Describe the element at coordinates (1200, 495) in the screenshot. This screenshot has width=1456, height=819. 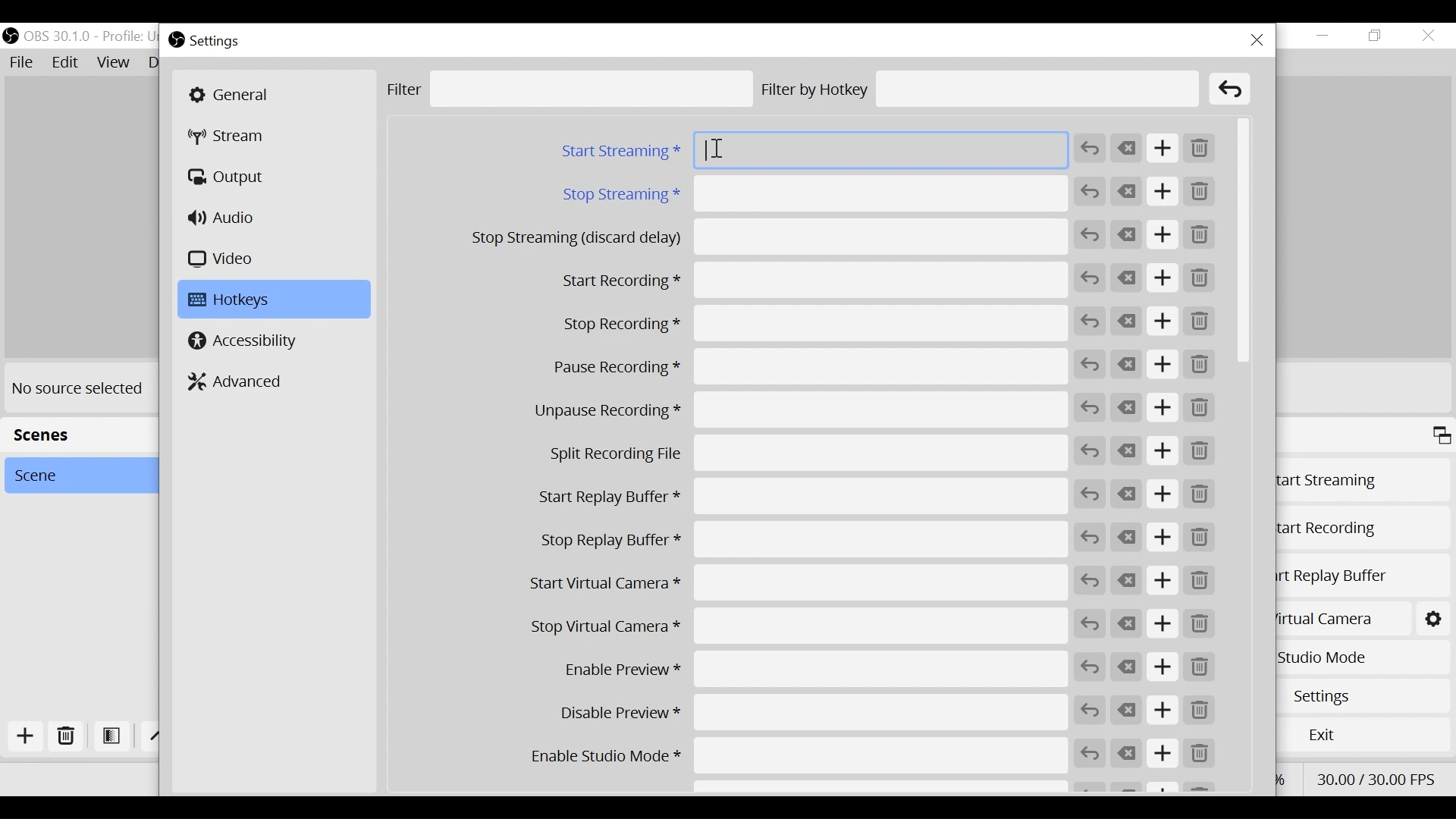
I see `Remove` at that location.